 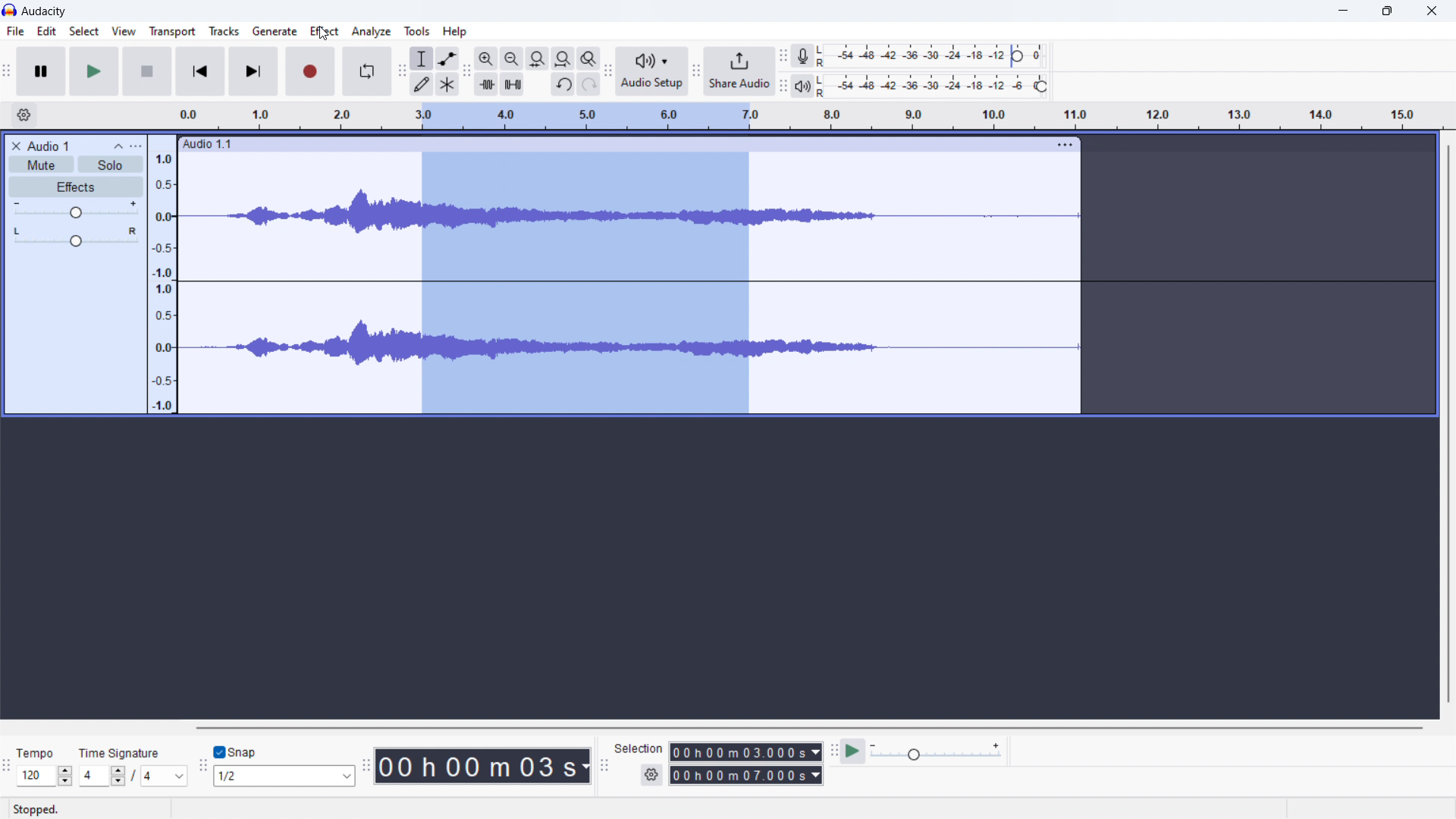 I want to click on close audio, so click(x=14, y=144).